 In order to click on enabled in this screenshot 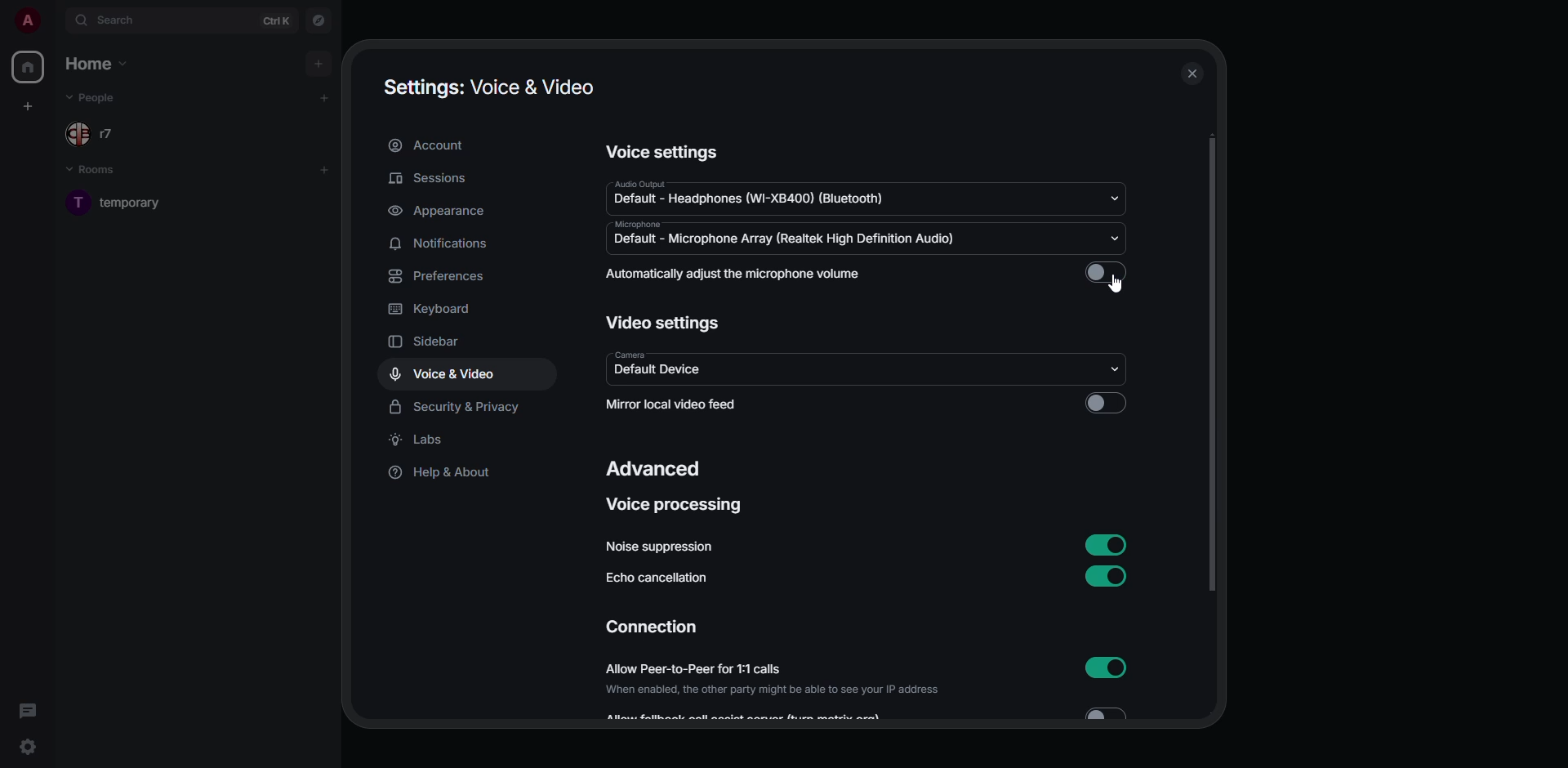, I will do `click(1105, 575)`.